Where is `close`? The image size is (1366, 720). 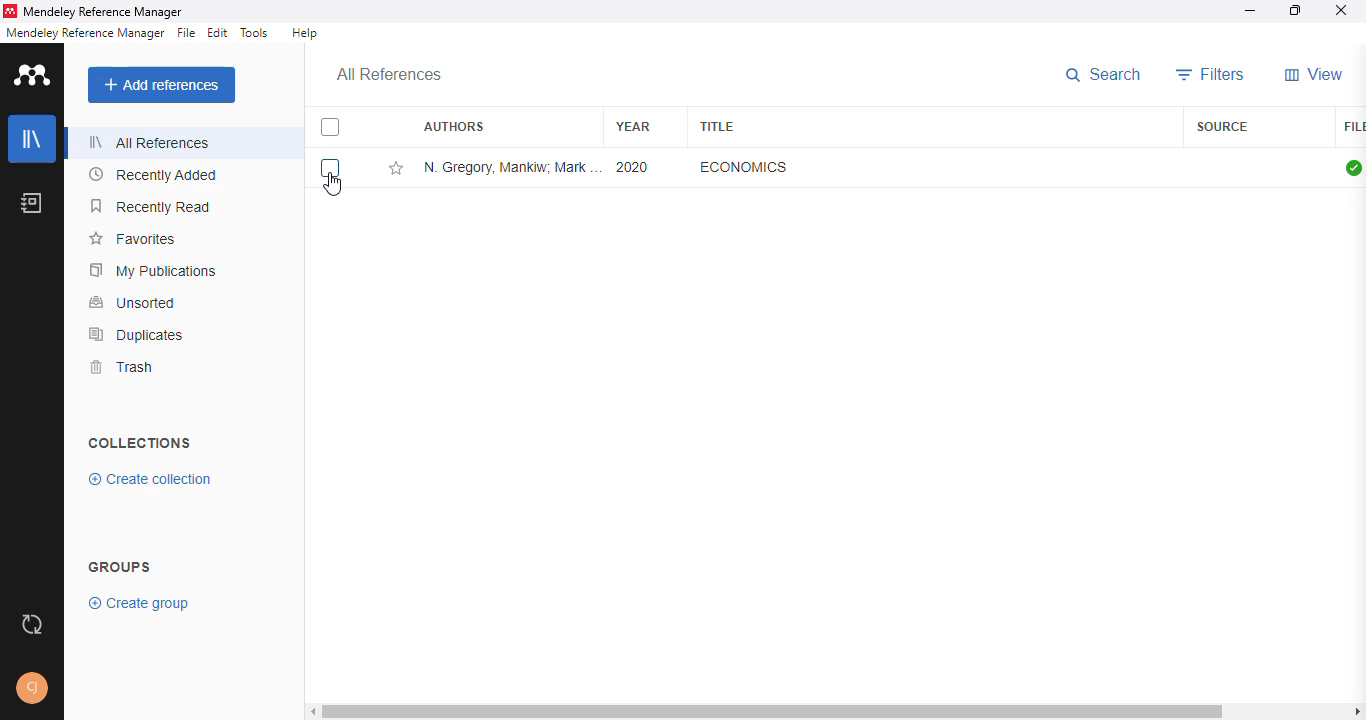 close is located at coordinates (1343, 11).